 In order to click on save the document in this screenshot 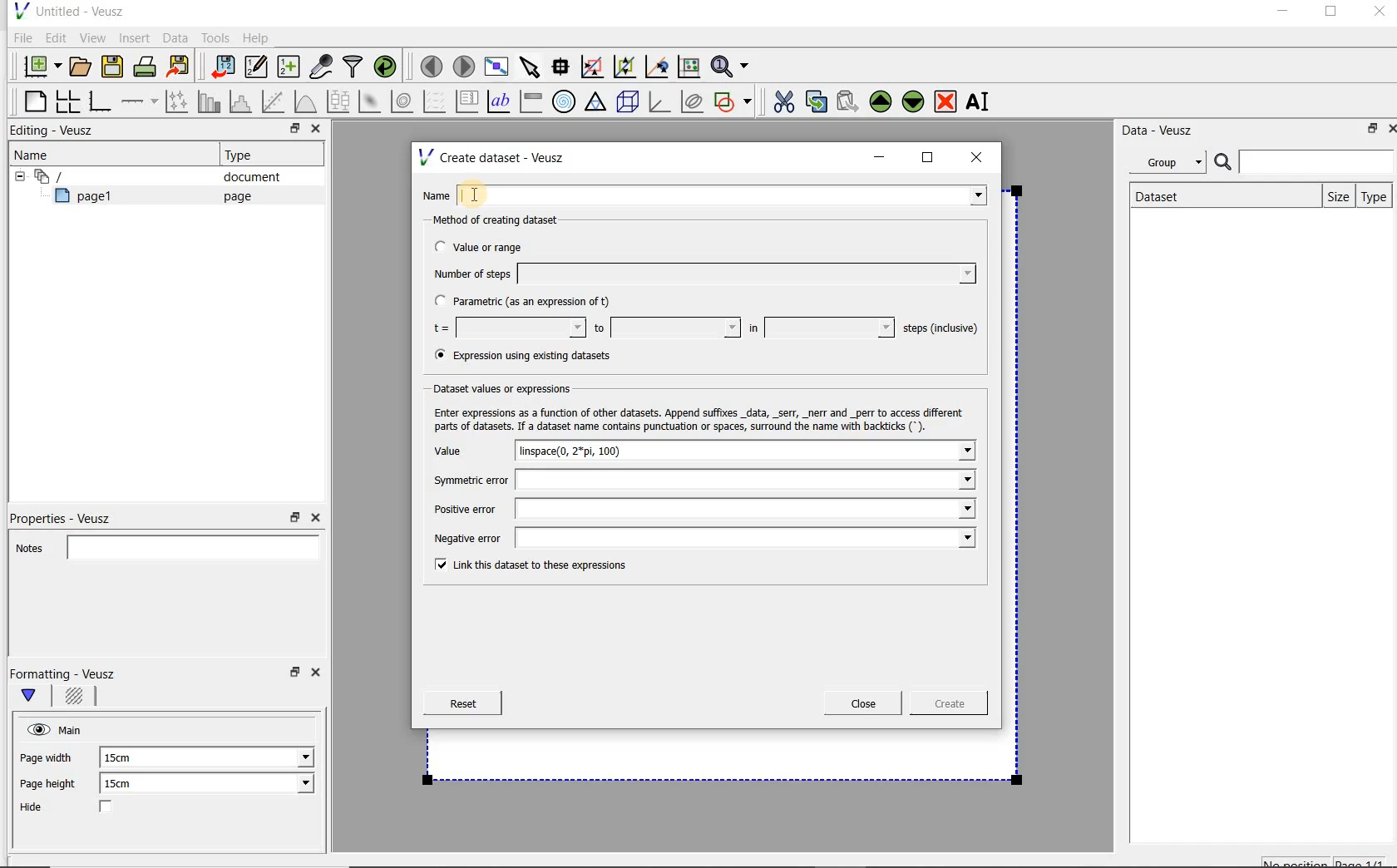, I will do `click(116, 67)`.